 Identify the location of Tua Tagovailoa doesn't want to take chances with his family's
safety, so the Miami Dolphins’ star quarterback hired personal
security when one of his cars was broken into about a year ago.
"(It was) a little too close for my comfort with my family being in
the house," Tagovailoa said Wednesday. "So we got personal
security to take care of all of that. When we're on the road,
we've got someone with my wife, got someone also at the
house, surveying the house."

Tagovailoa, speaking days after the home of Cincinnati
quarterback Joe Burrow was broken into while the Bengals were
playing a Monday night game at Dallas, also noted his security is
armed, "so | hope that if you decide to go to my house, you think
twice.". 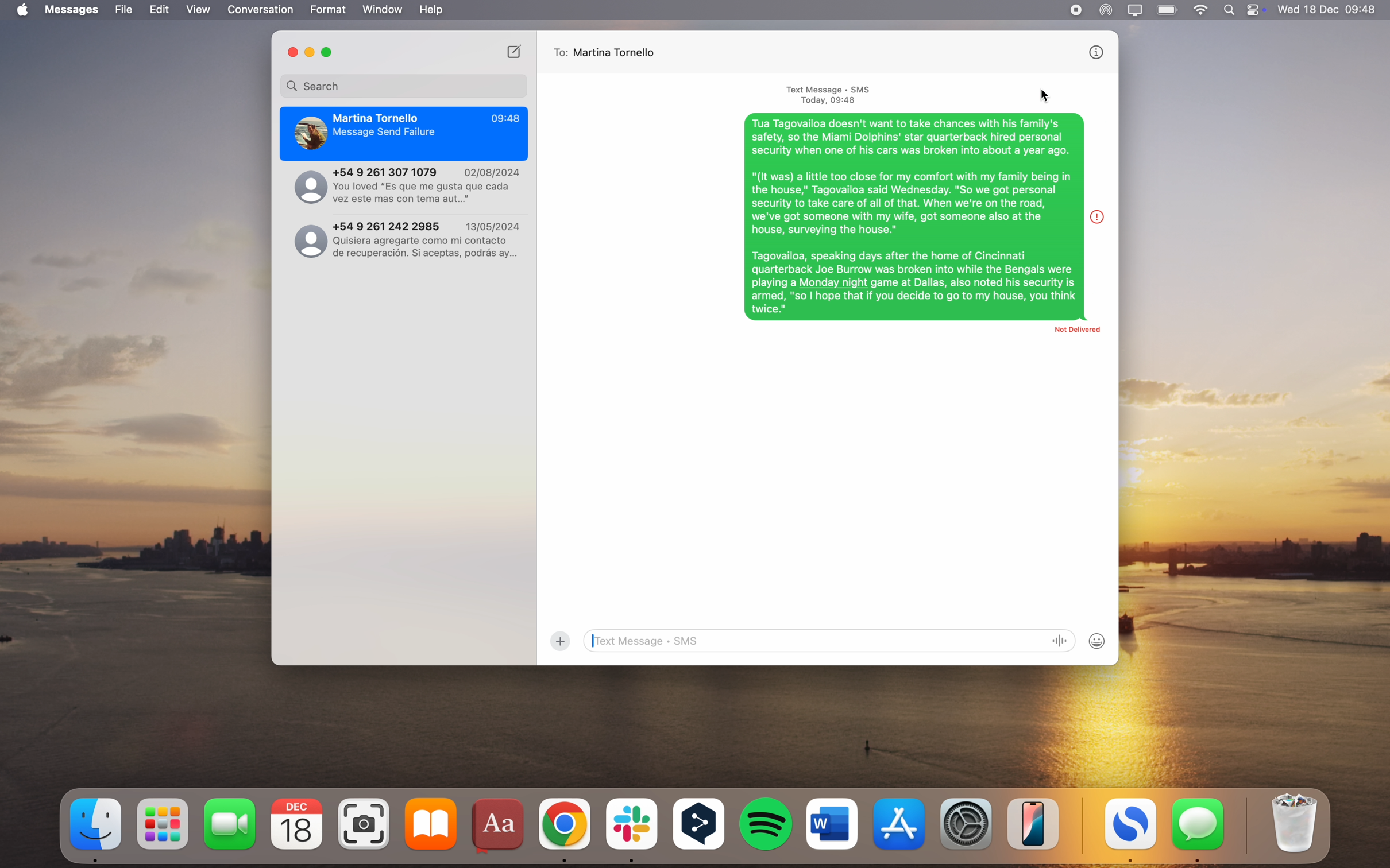
(913, 217).